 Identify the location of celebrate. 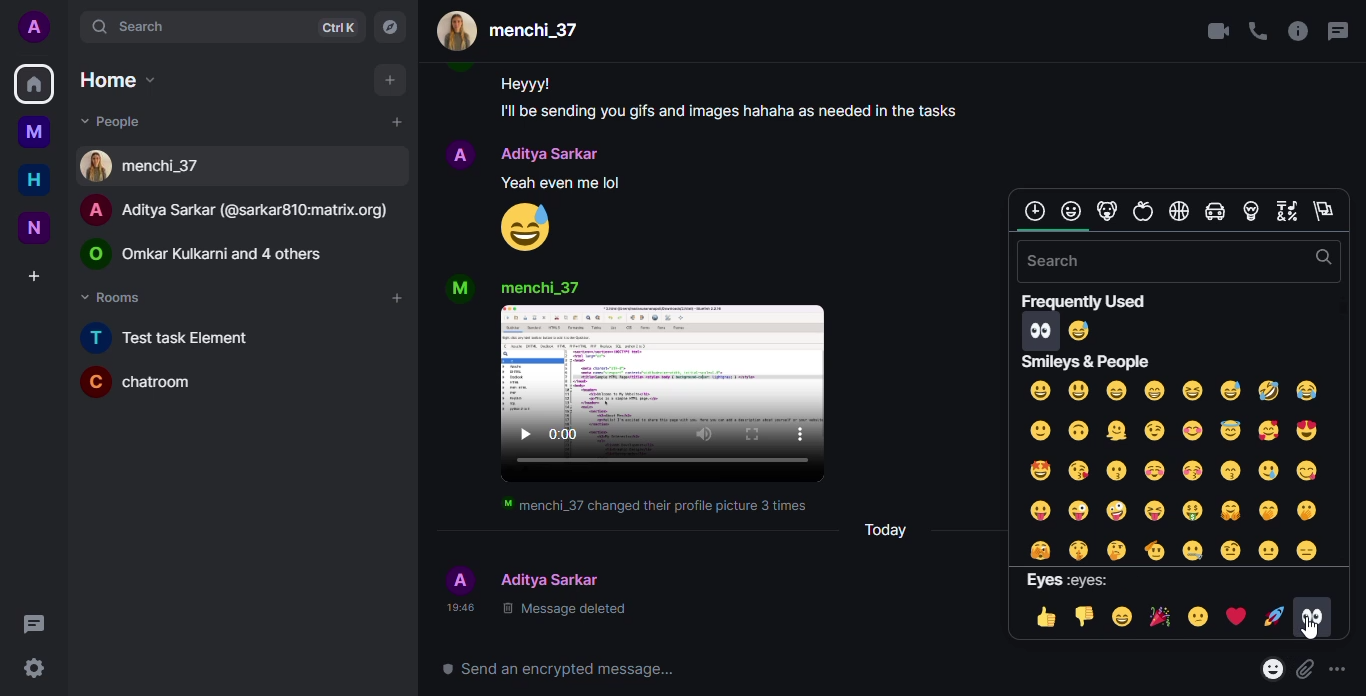
(1159, 617).